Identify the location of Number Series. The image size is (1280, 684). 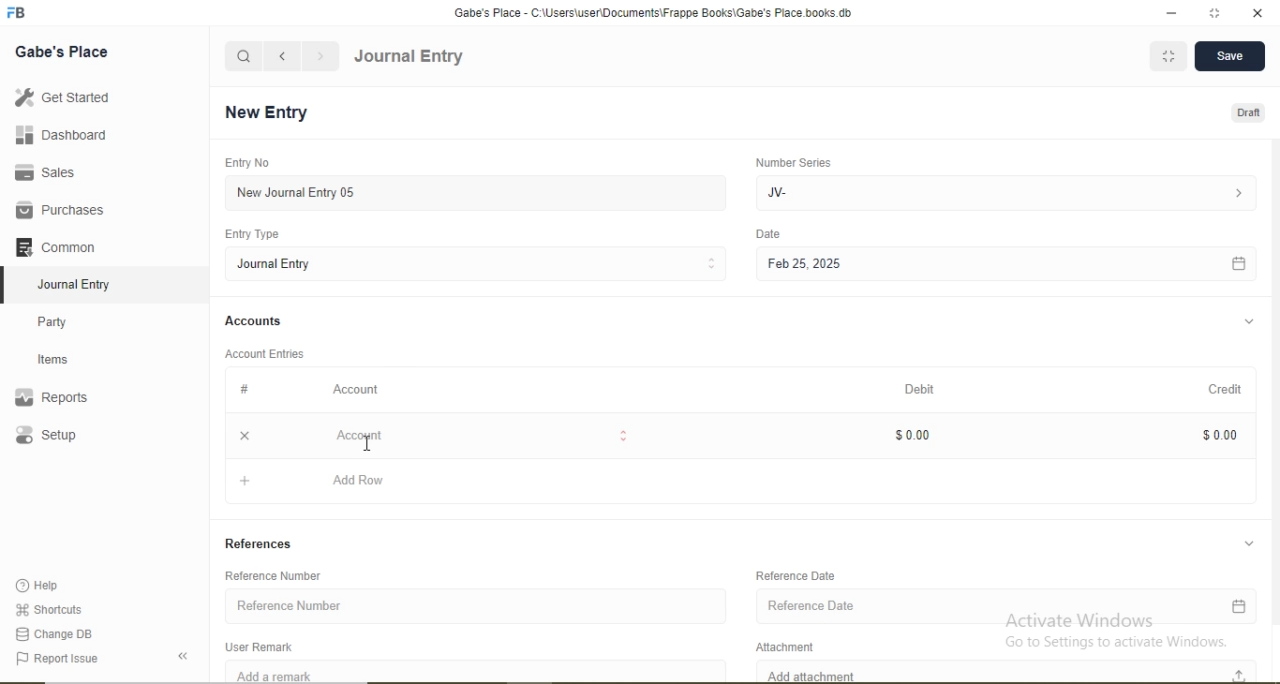
(792, 162).